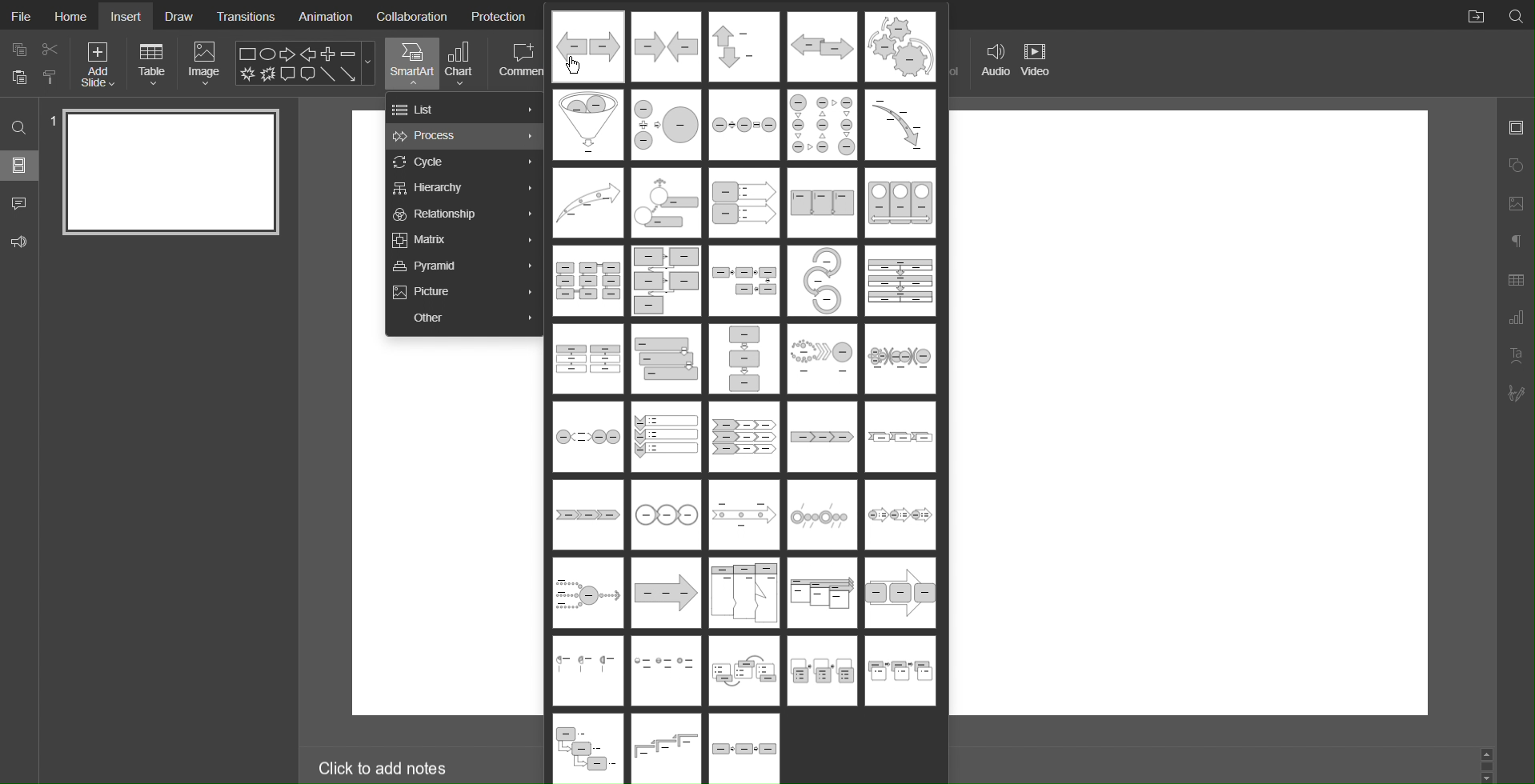  Describe the element at coordinates (663, 124) in the screenshot. I see `Process Template 7` at that location.